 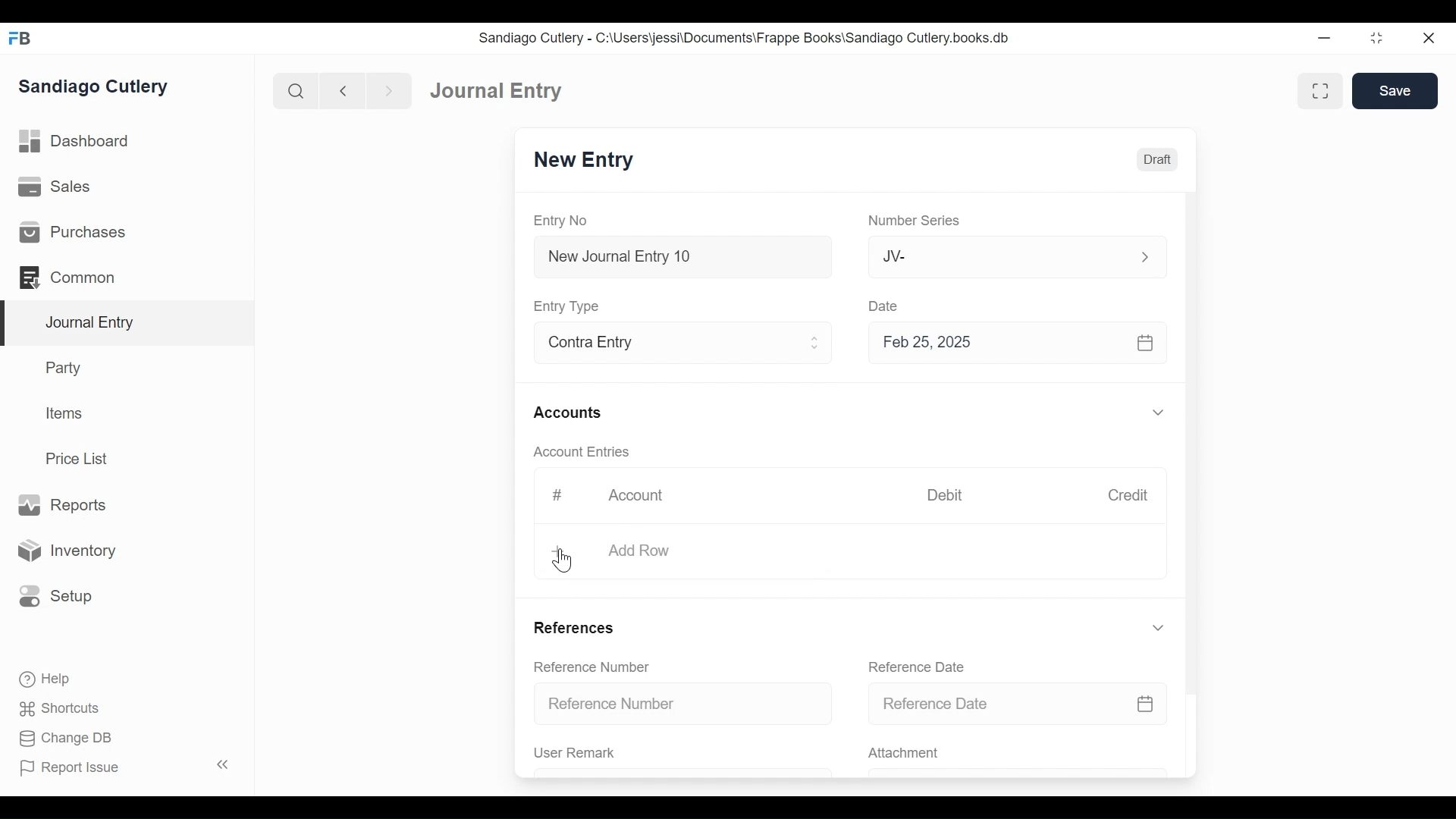 What do you see at coordinates (571, 306) in the screenshot?
I see `Entry Type` at bounding box center [571, 306].